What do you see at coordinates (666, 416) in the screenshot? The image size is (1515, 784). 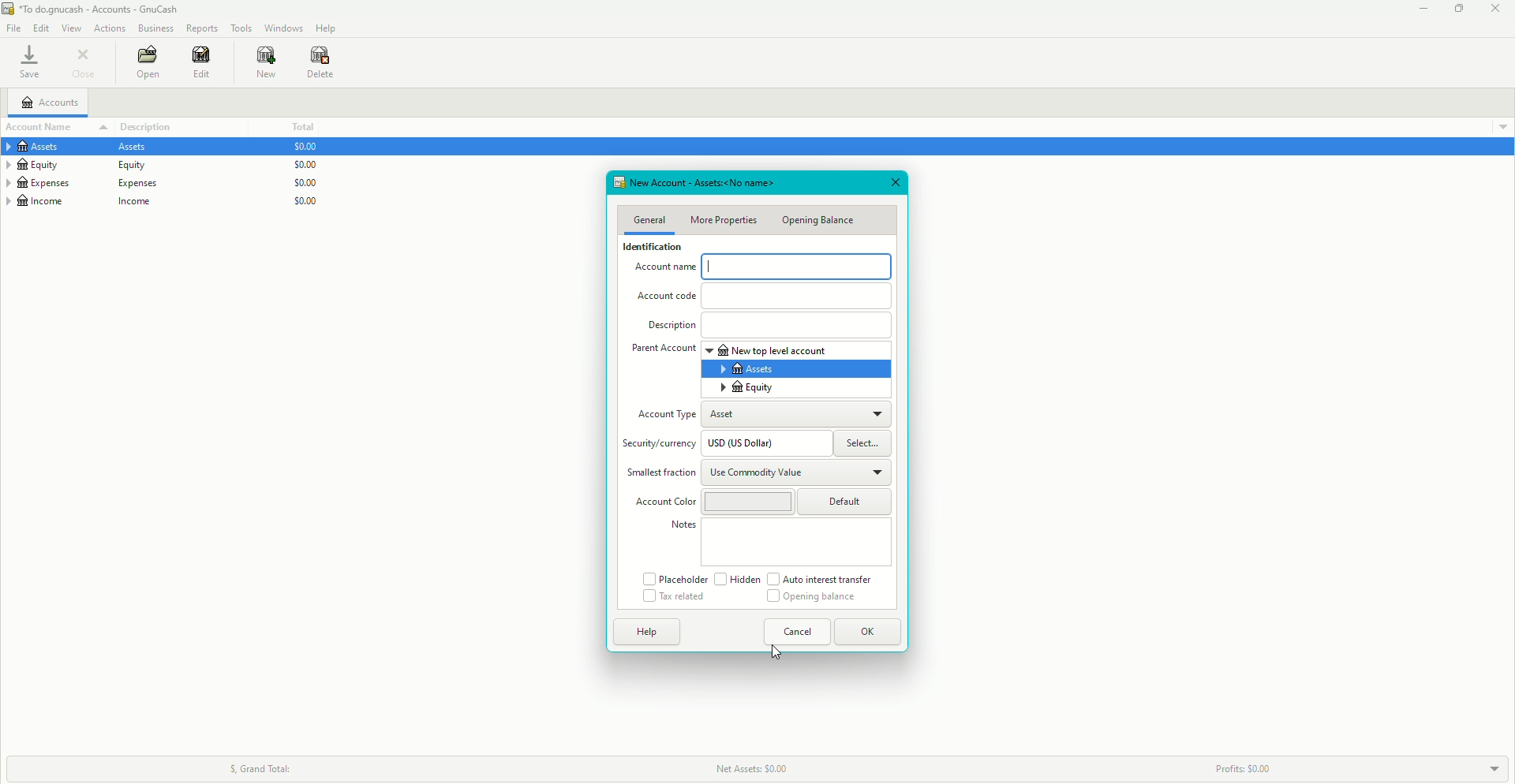 I see `Account type` at bounding box center [666, 416].